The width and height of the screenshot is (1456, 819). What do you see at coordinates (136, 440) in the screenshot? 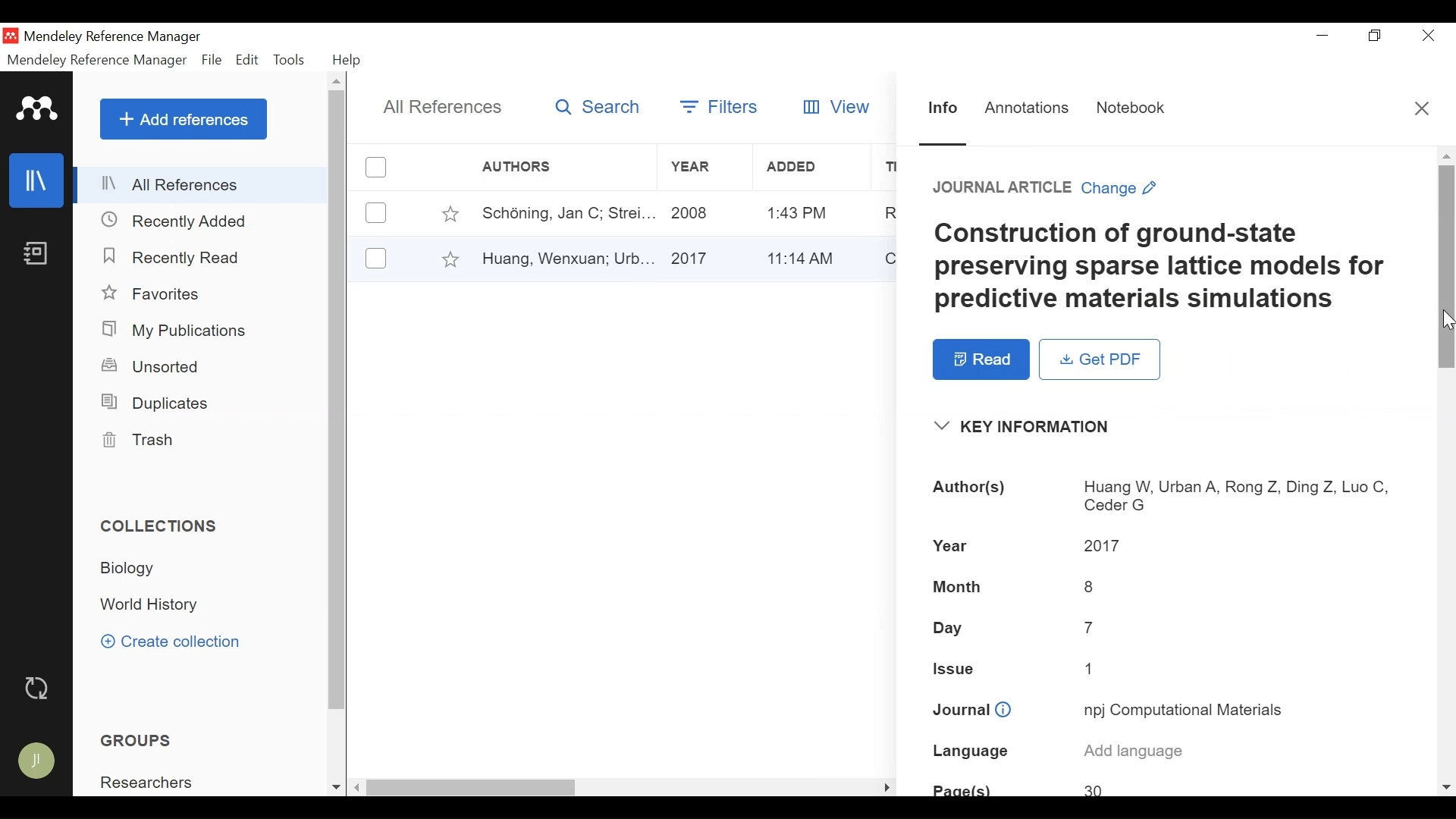
I see `Trash` at bounding box center [136, 440].